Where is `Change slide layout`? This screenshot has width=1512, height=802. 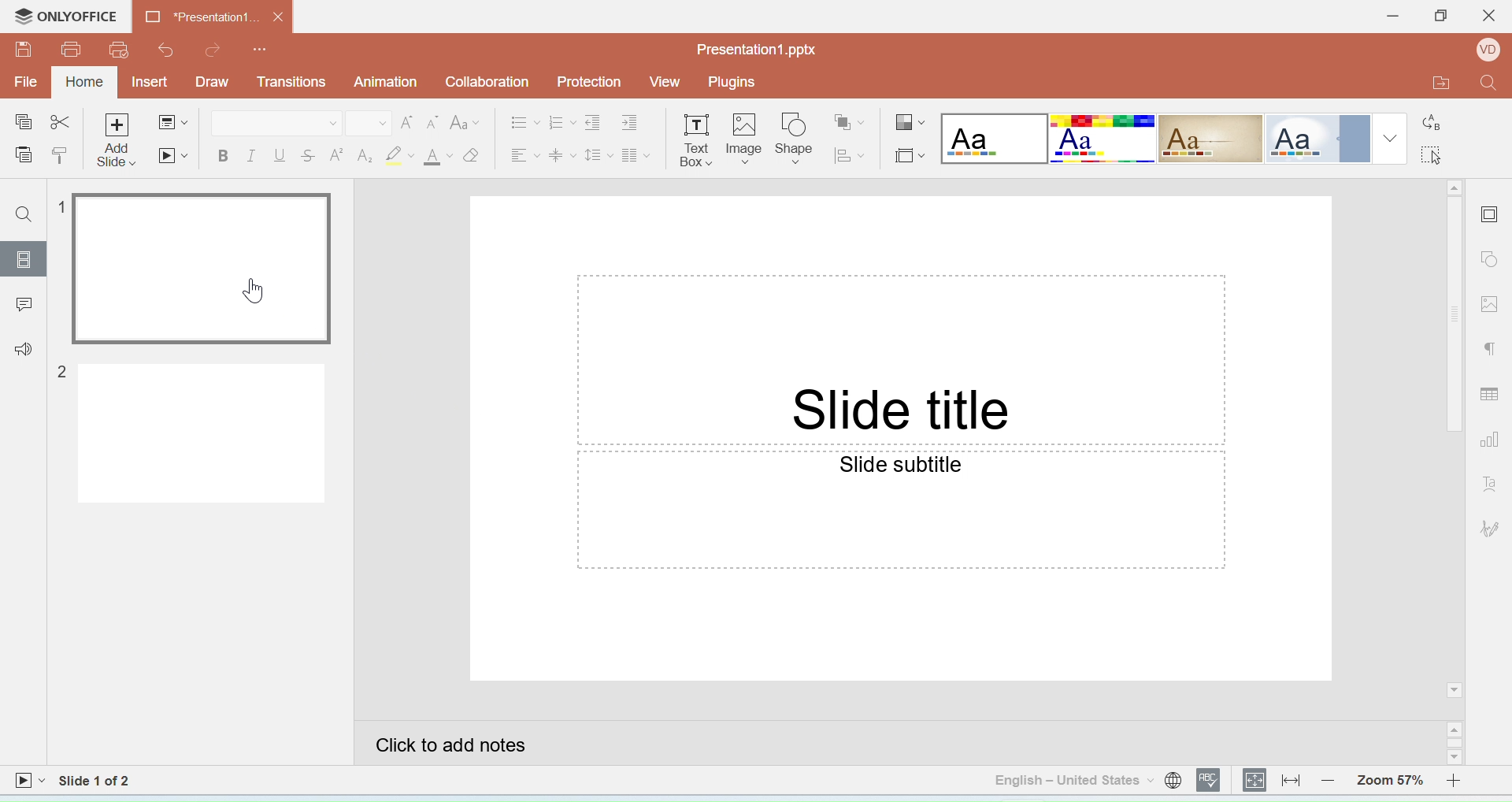
Change slide layout is located at coordinates (172, 124).